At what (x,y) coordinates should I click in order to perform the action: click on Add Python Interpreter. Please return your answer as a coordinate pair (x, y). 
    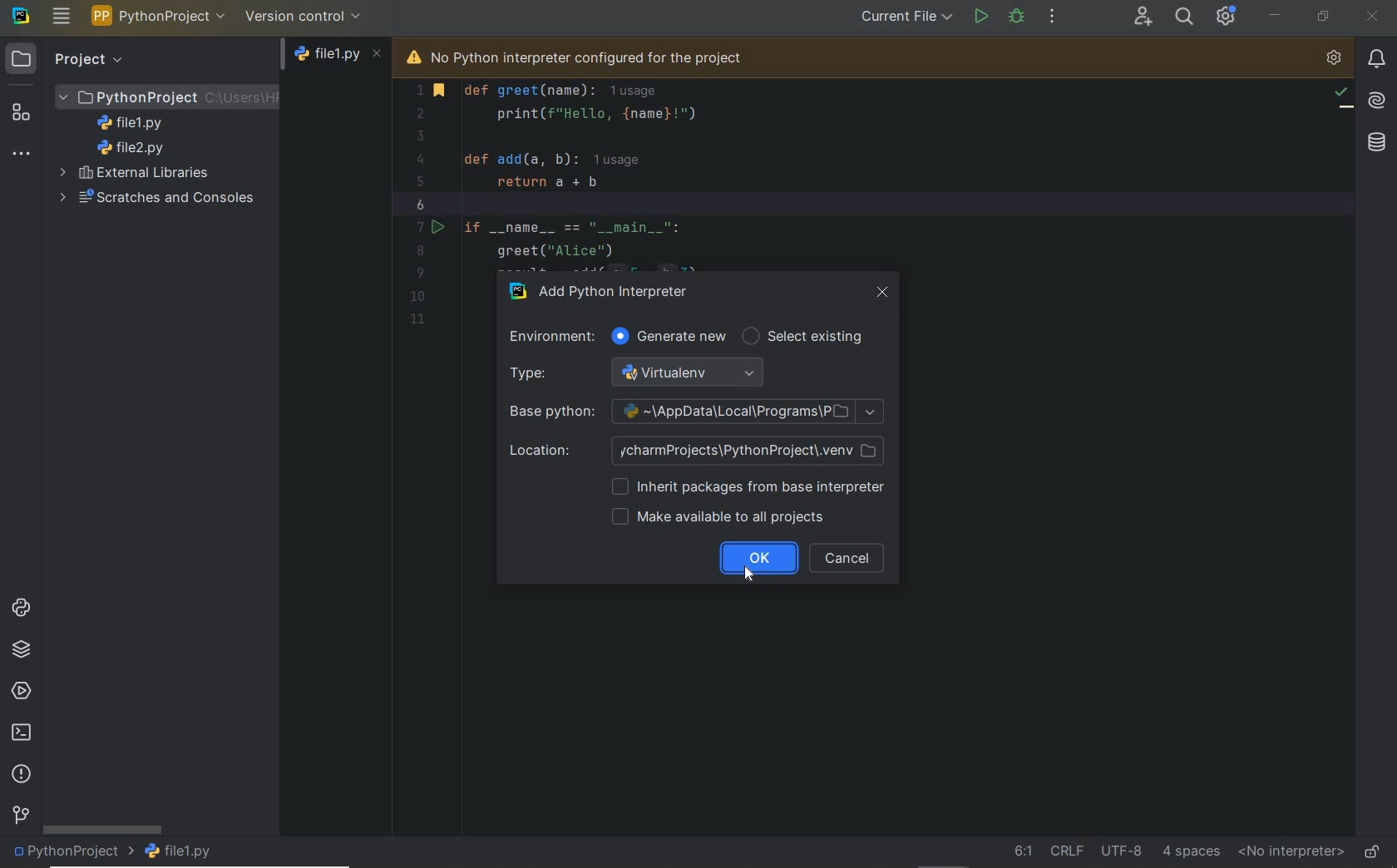
    Looking at the image, I should click on (611, 289).